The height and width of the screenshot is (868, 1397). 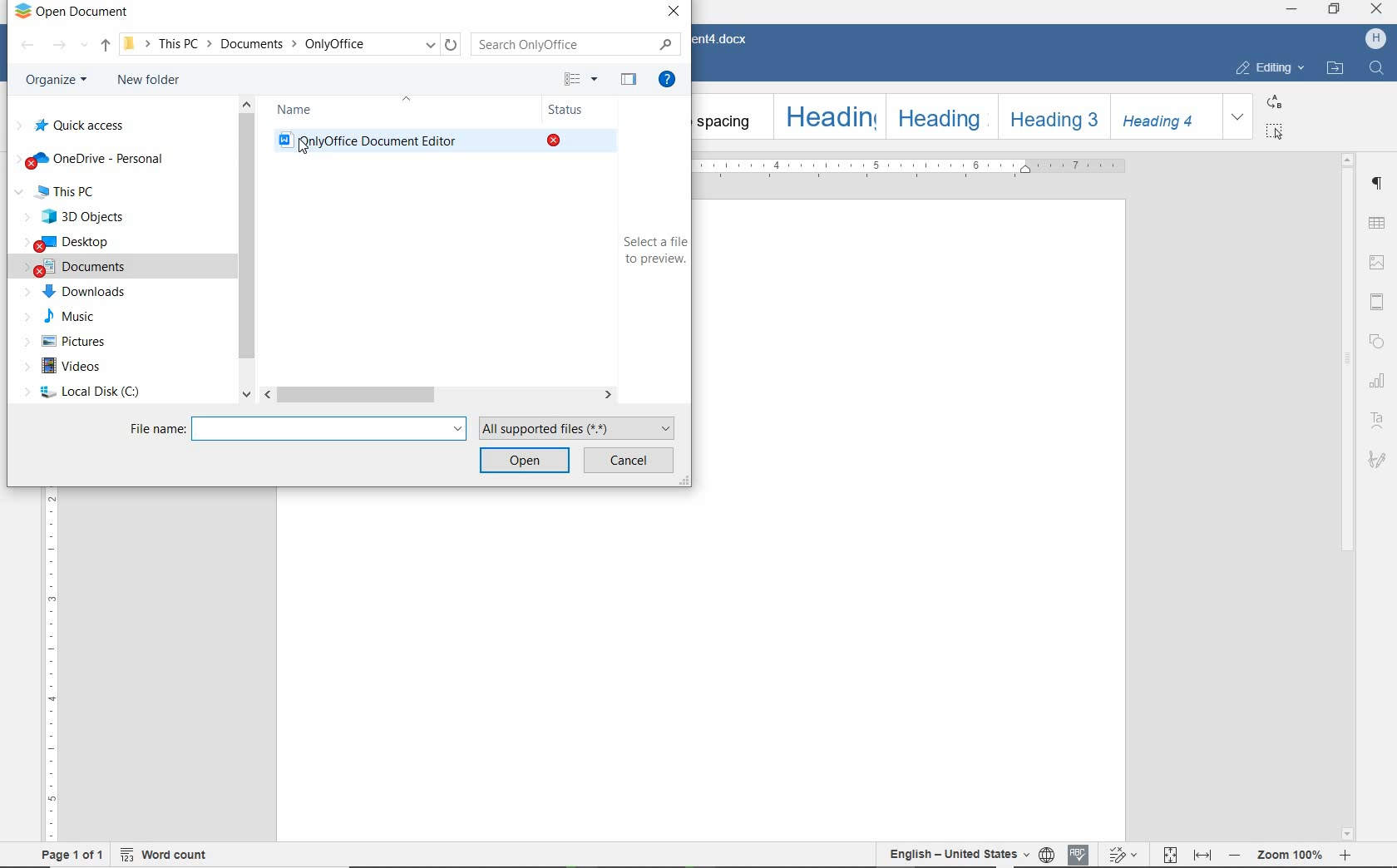 What do you see at coordinates (1273, 102) in the screenshot?
I see `replace` at bounding box center [1273, 102].